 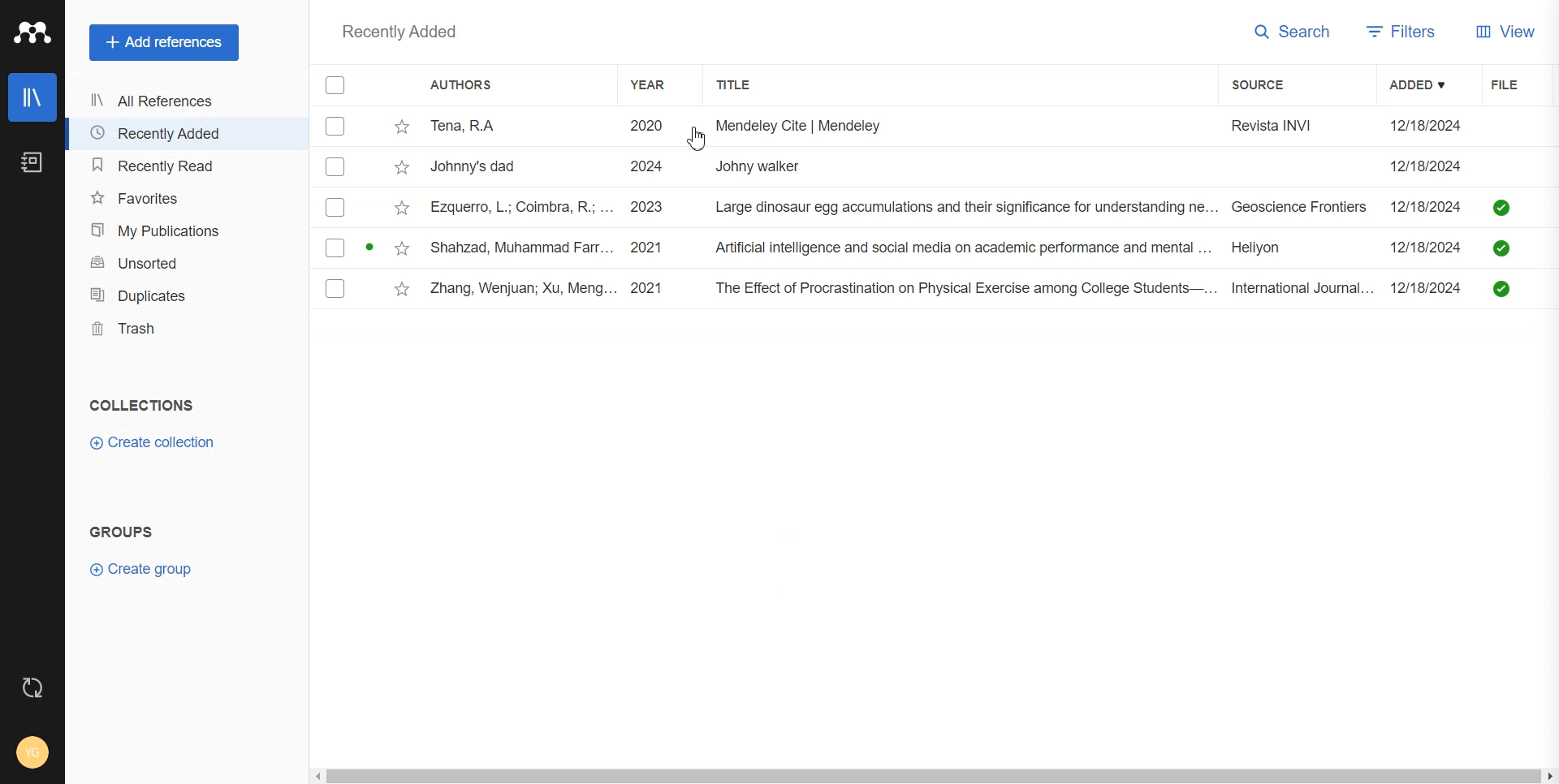 I want to click on Star, so click(x=404, y=289).